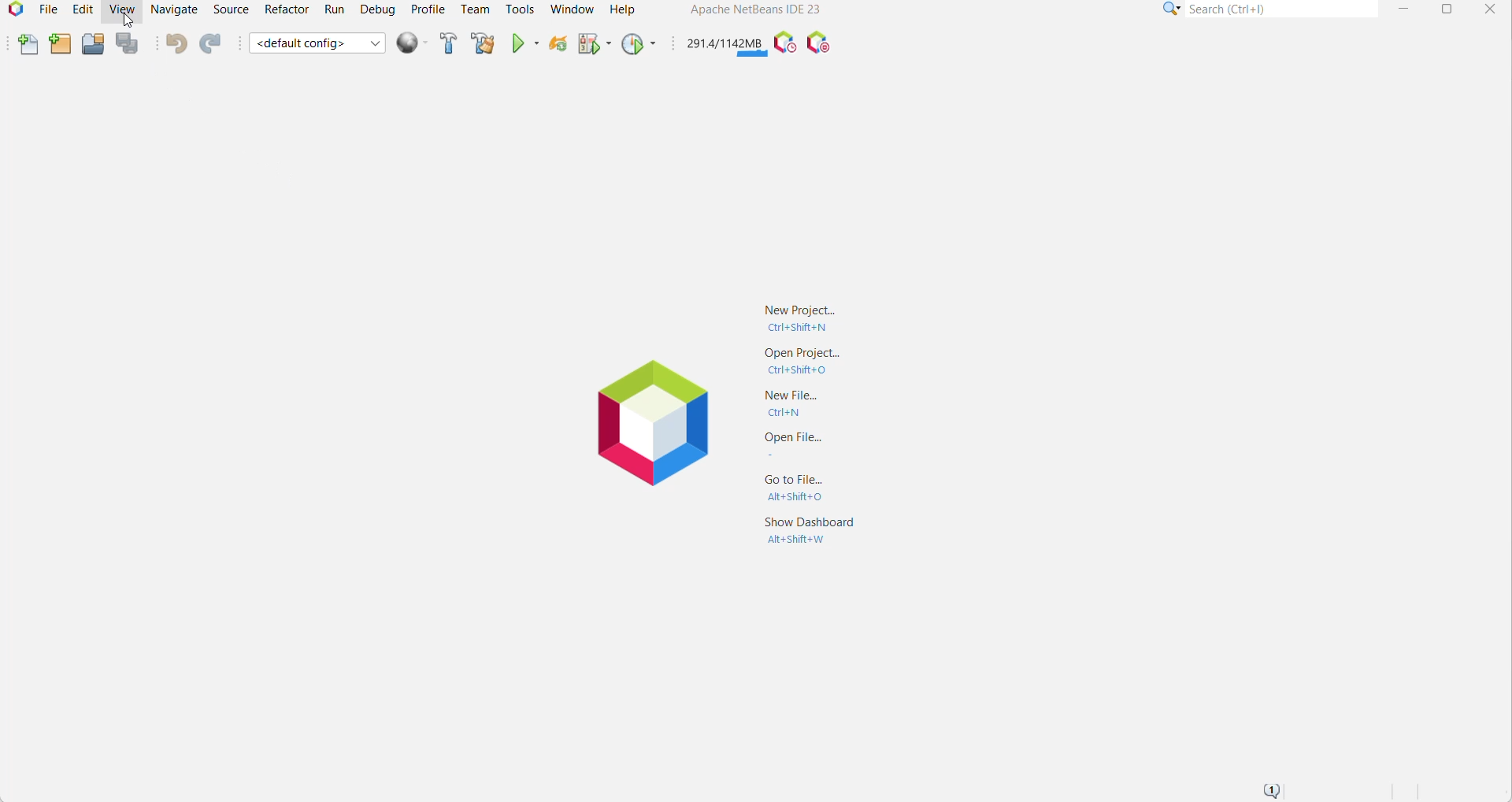  I want to click on Team, so click(475, 9).